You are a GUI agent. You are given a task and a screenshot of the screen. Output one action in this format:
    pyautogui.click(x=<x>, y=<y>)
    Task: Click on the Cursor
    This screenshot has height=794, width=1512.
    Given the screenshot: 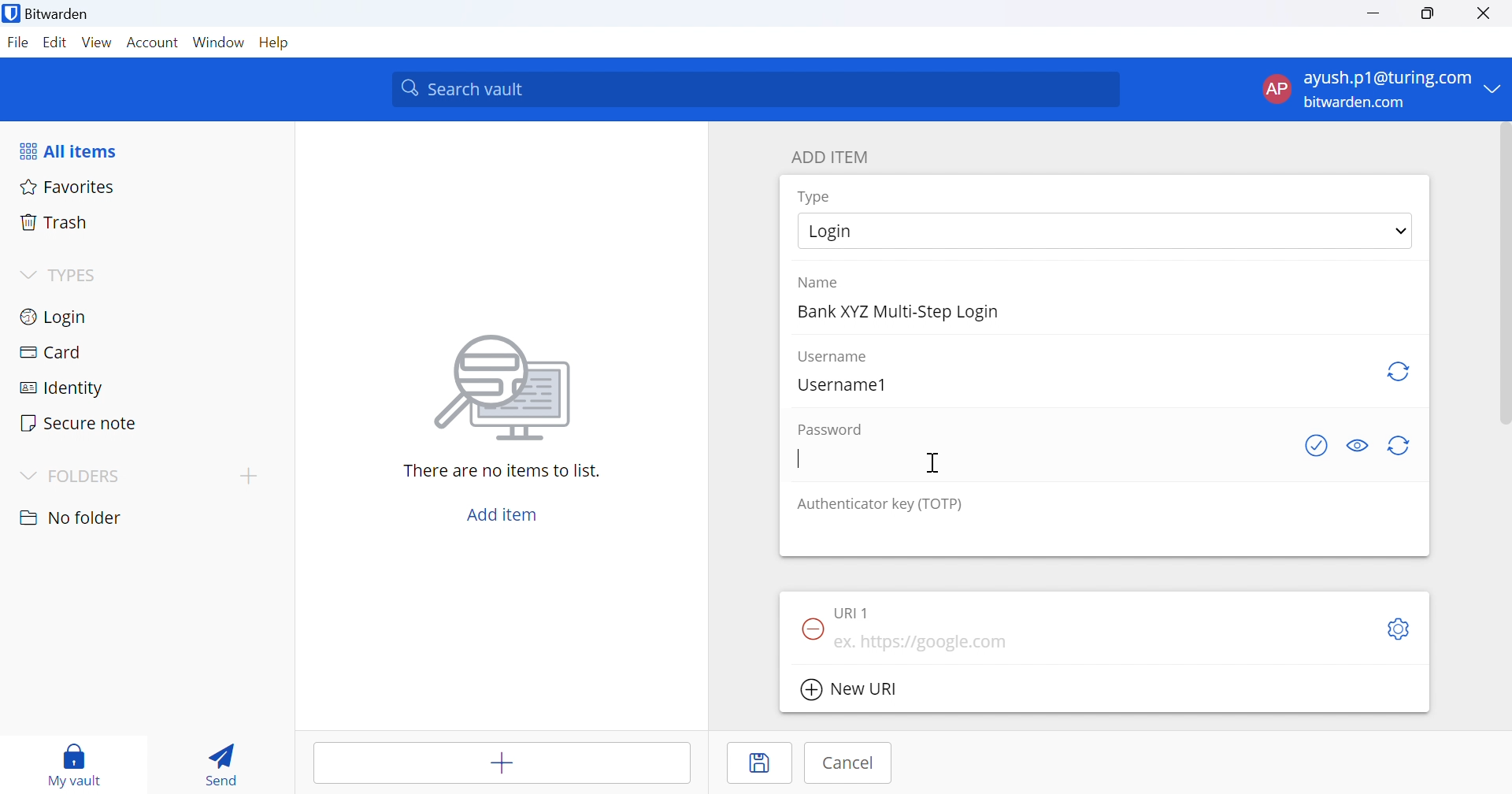 What is the action you would take?
    pyautogui.click(x=932, y=462)
    